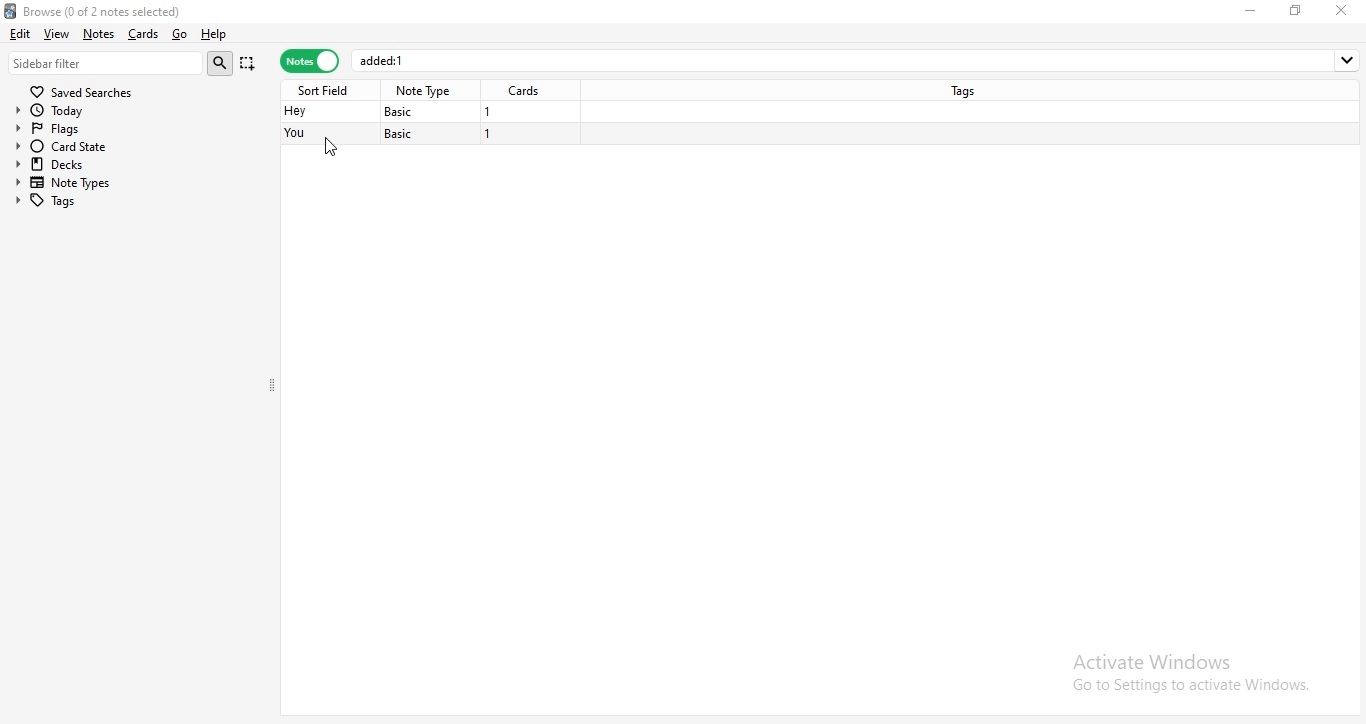 The width and height of the screenshot is (1366, 724). I want to click on search, so click(223, 63).